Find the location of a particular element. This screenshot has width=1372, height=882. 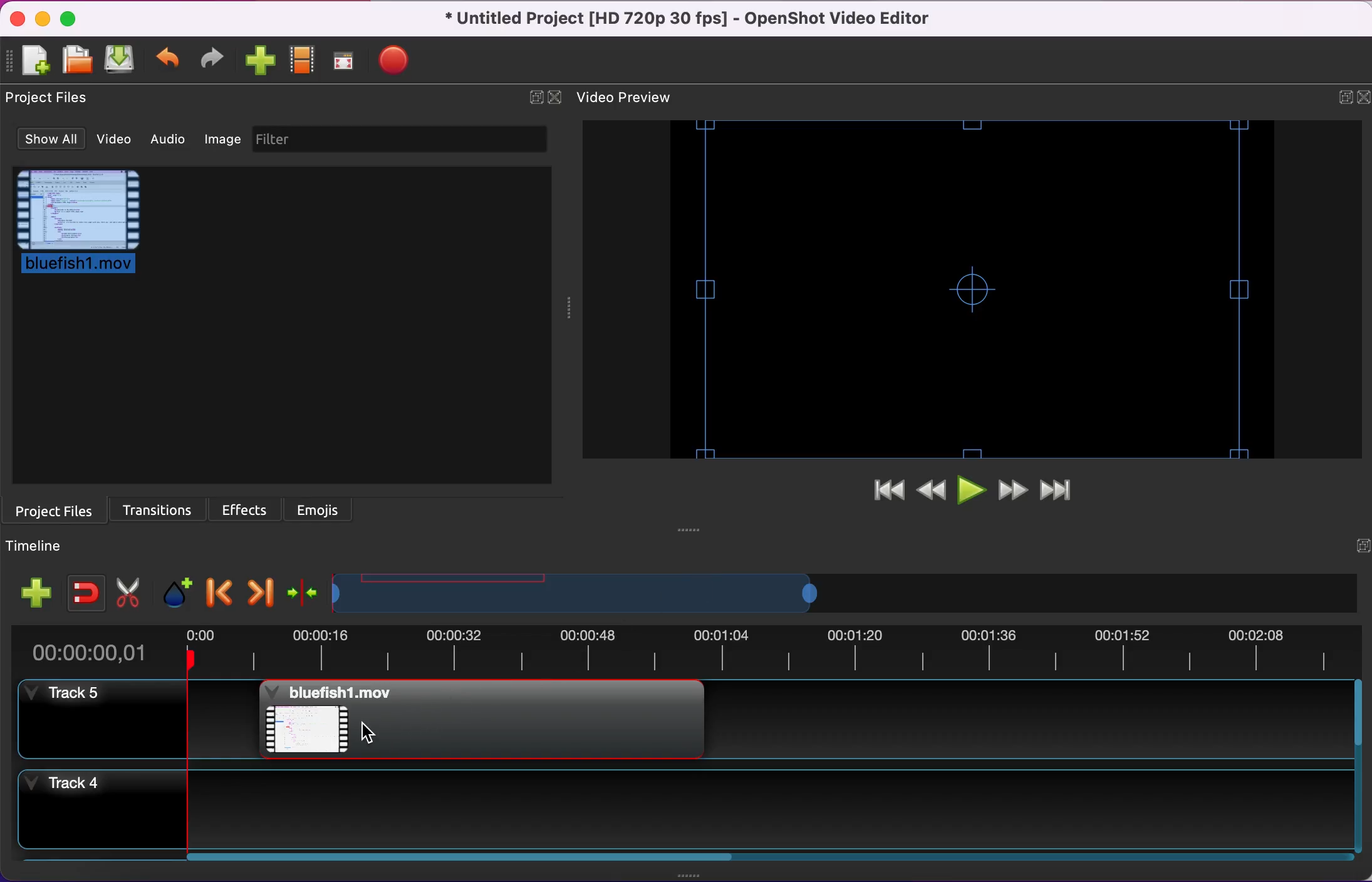

video preview is located at coordinates (624, 98).